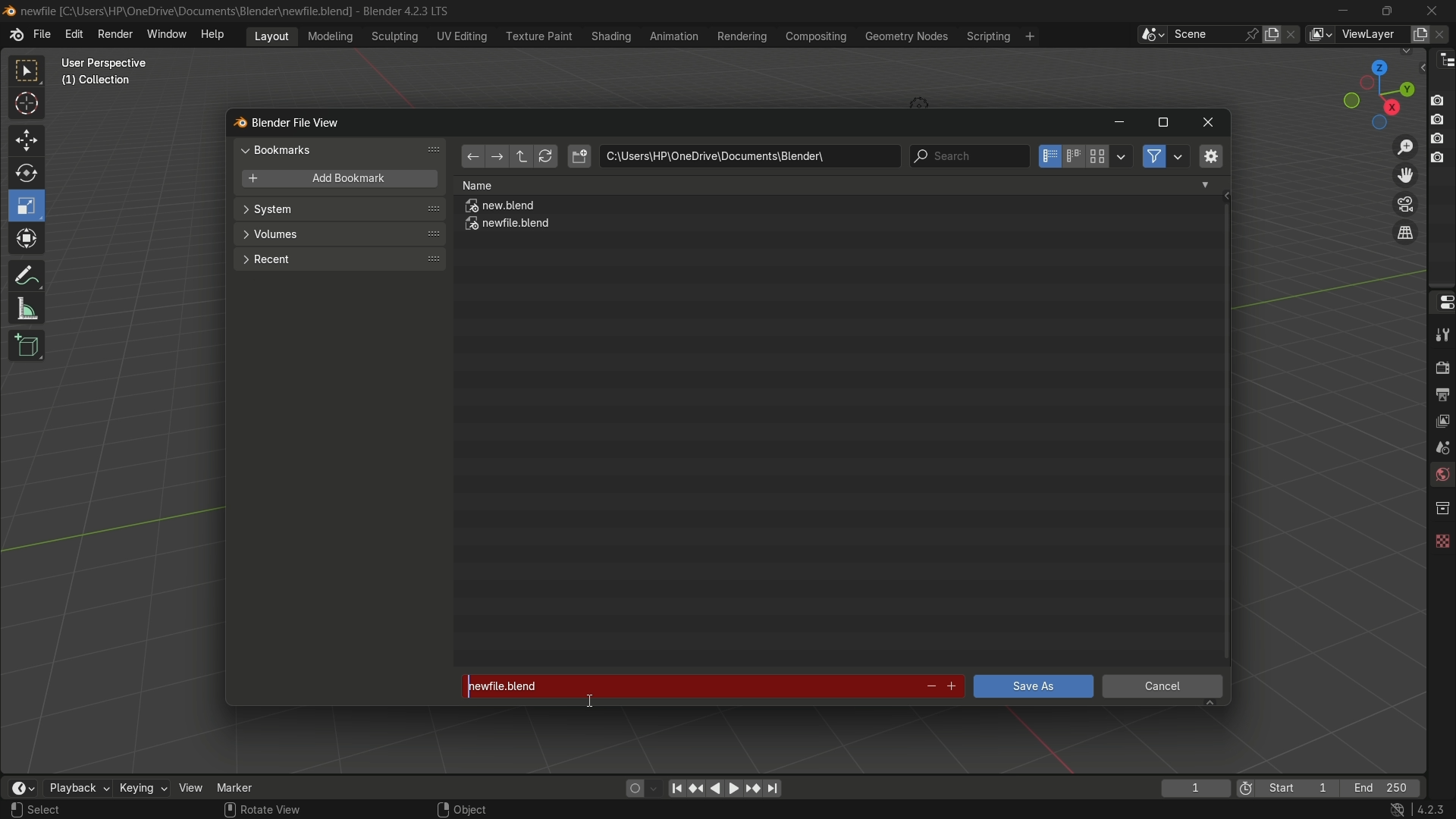  Describe the element at coordinates (1441, 476) in the screenshot. I see `world` at that location.